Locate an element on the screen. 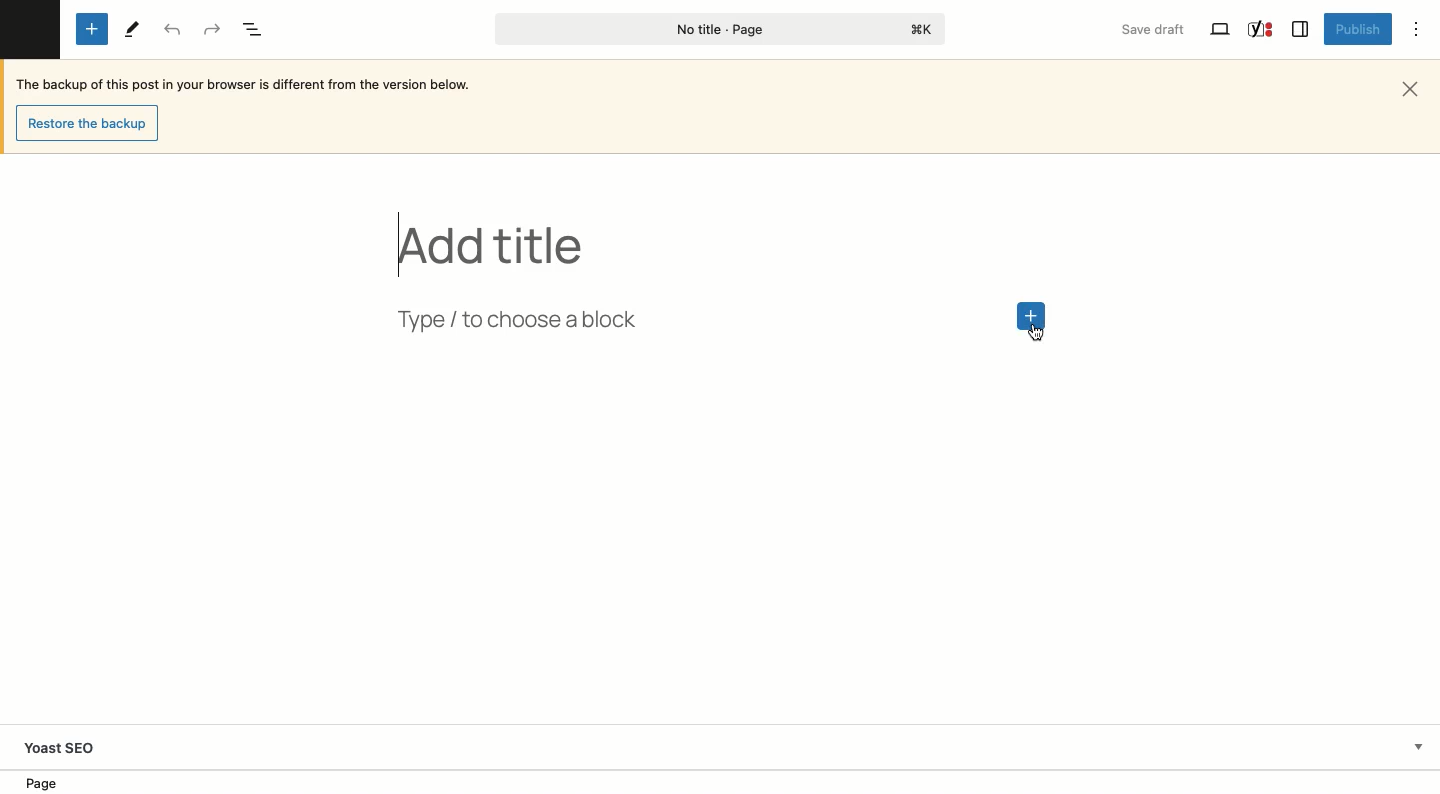  Page is located at coordinates (714, 30).